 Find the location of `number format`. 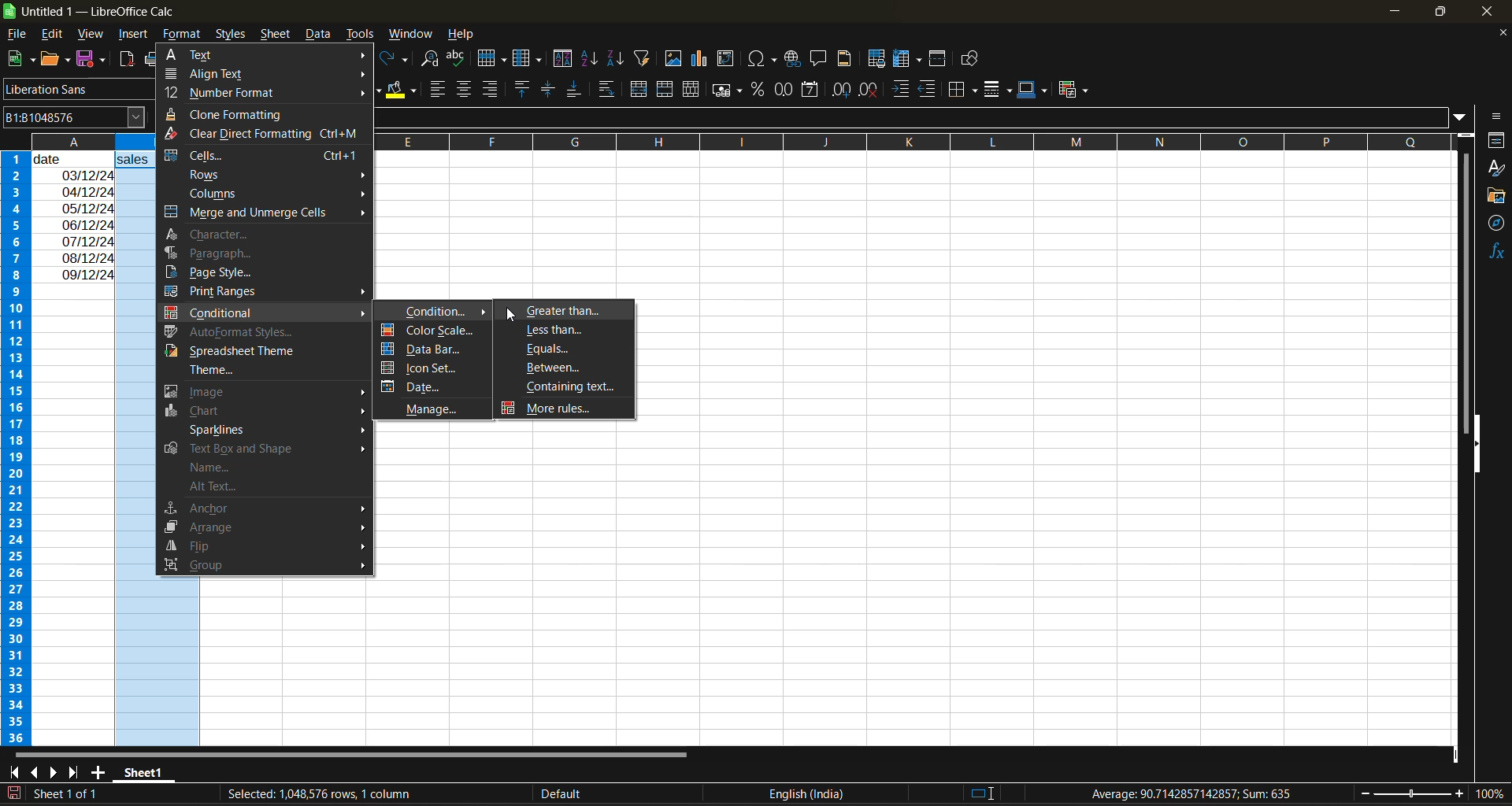

number format is located at coordinates (239, 93).